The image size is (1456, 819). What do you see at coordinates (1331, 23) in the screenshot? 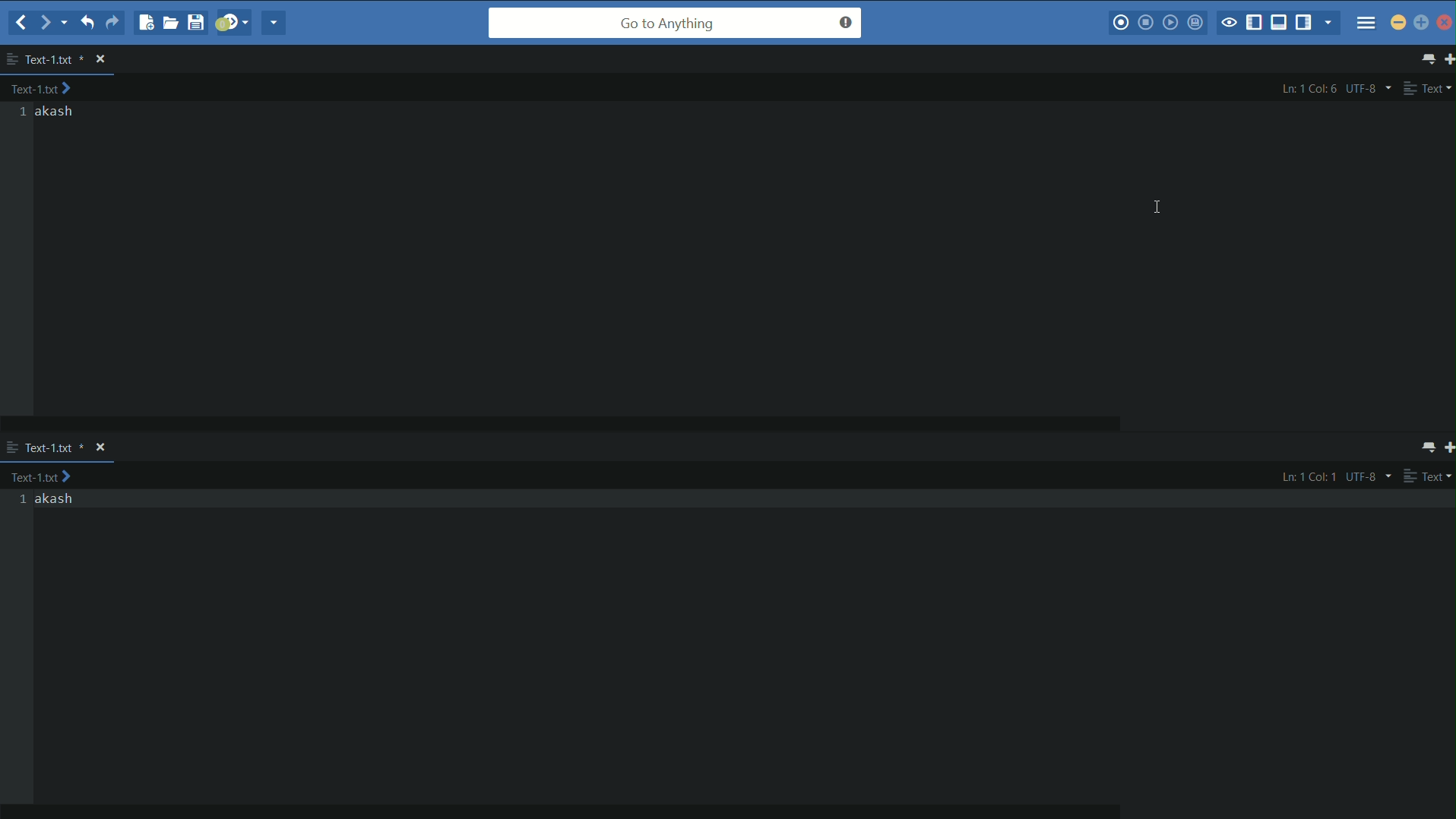
I see `show specific sidebar/tab` at bounding box center [1331, 23].